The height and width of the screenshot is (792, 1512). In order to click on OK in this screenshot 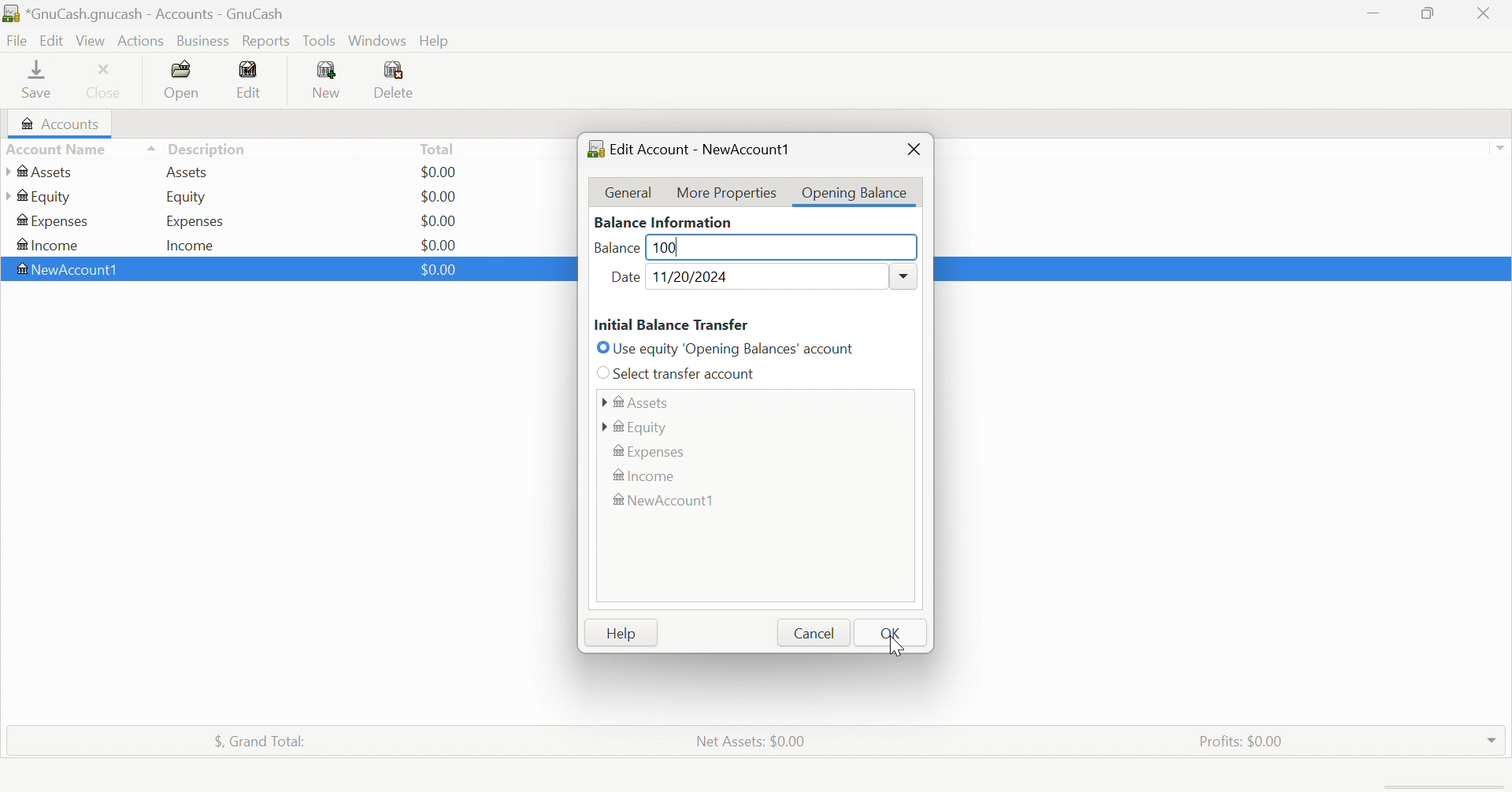, I will do `click(892, 633)`.